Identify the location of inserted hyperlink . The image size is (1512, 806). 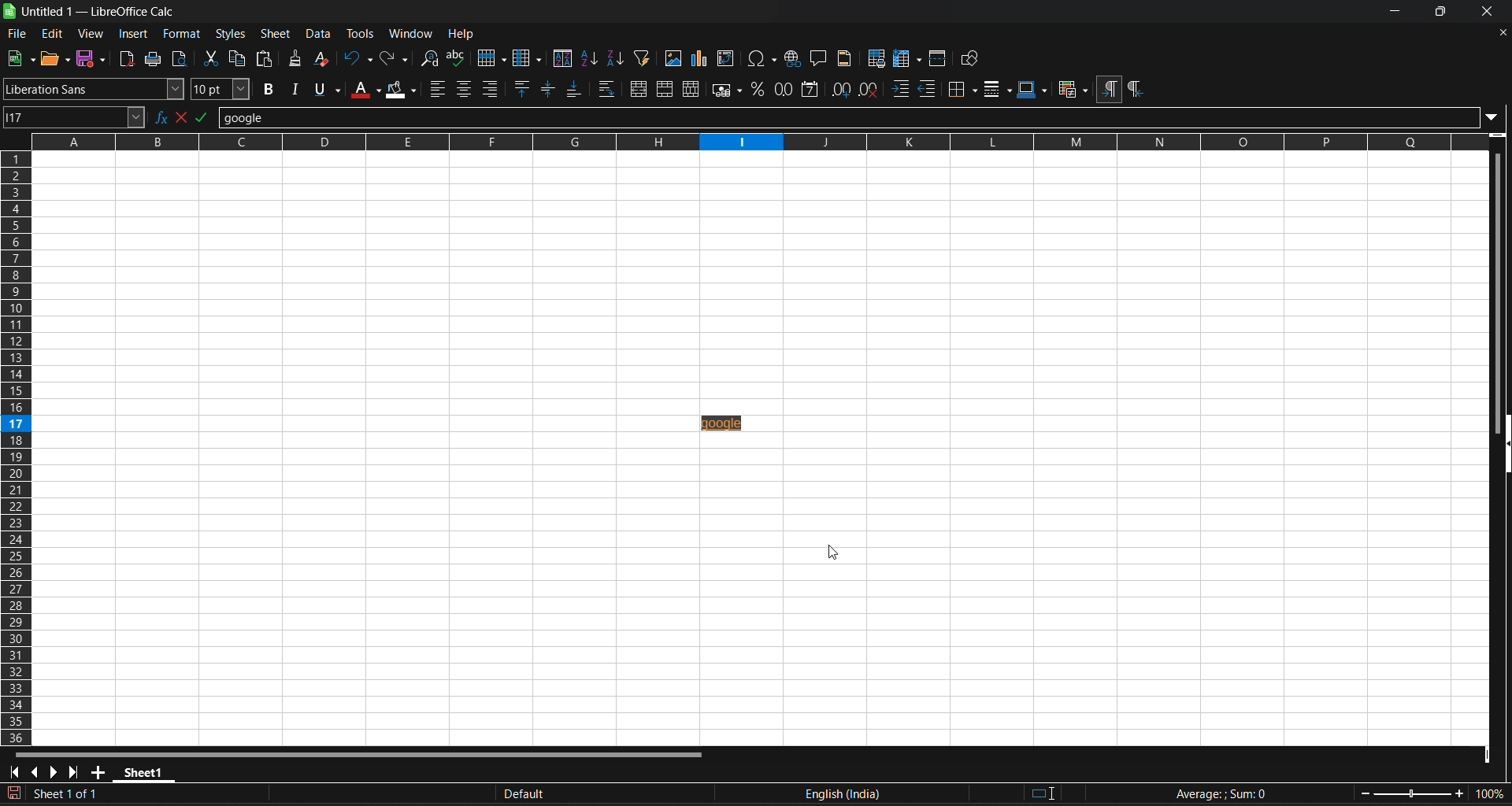
(742, 423).